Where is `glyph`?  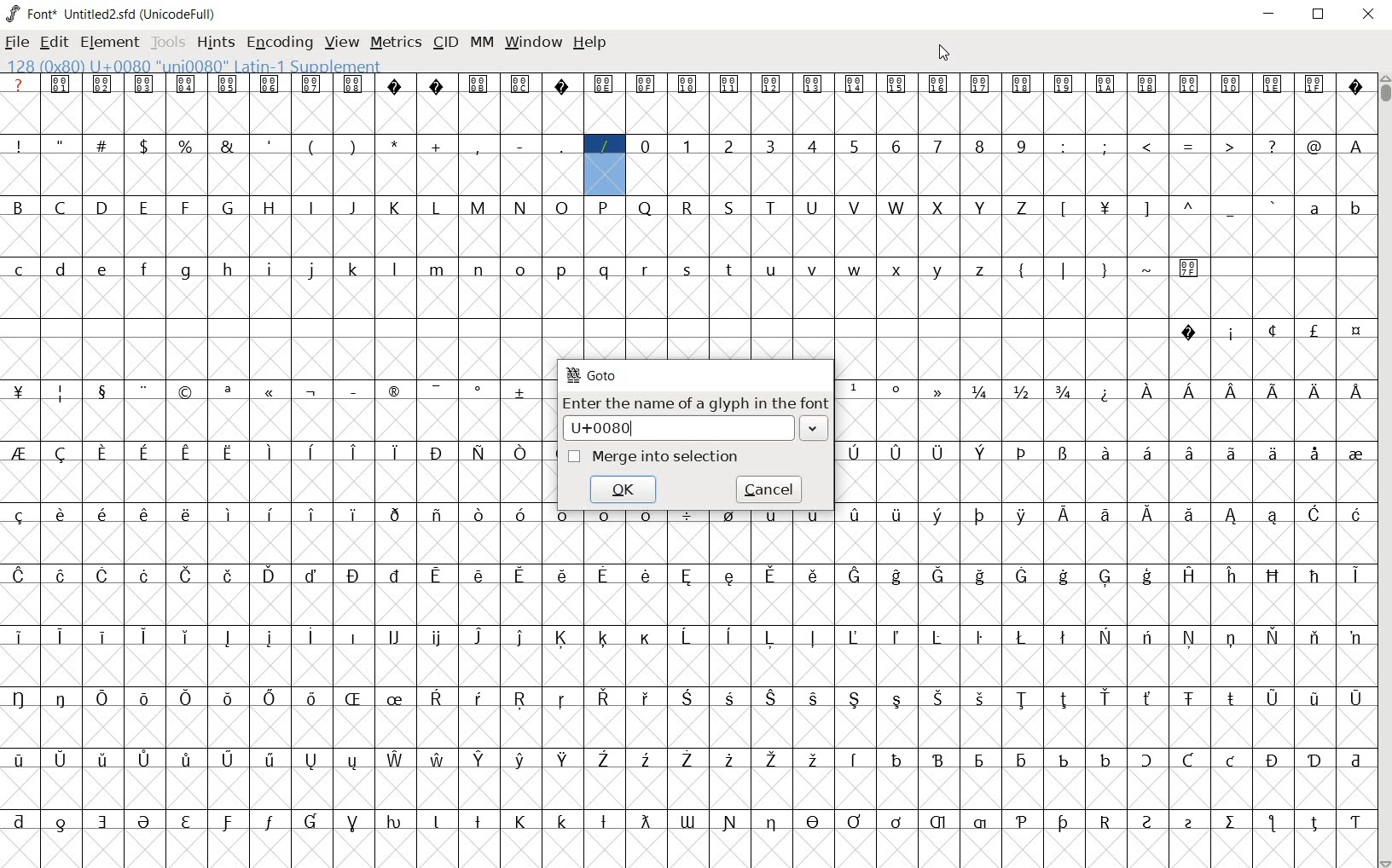
glyph is located at coordinates (228, 759).